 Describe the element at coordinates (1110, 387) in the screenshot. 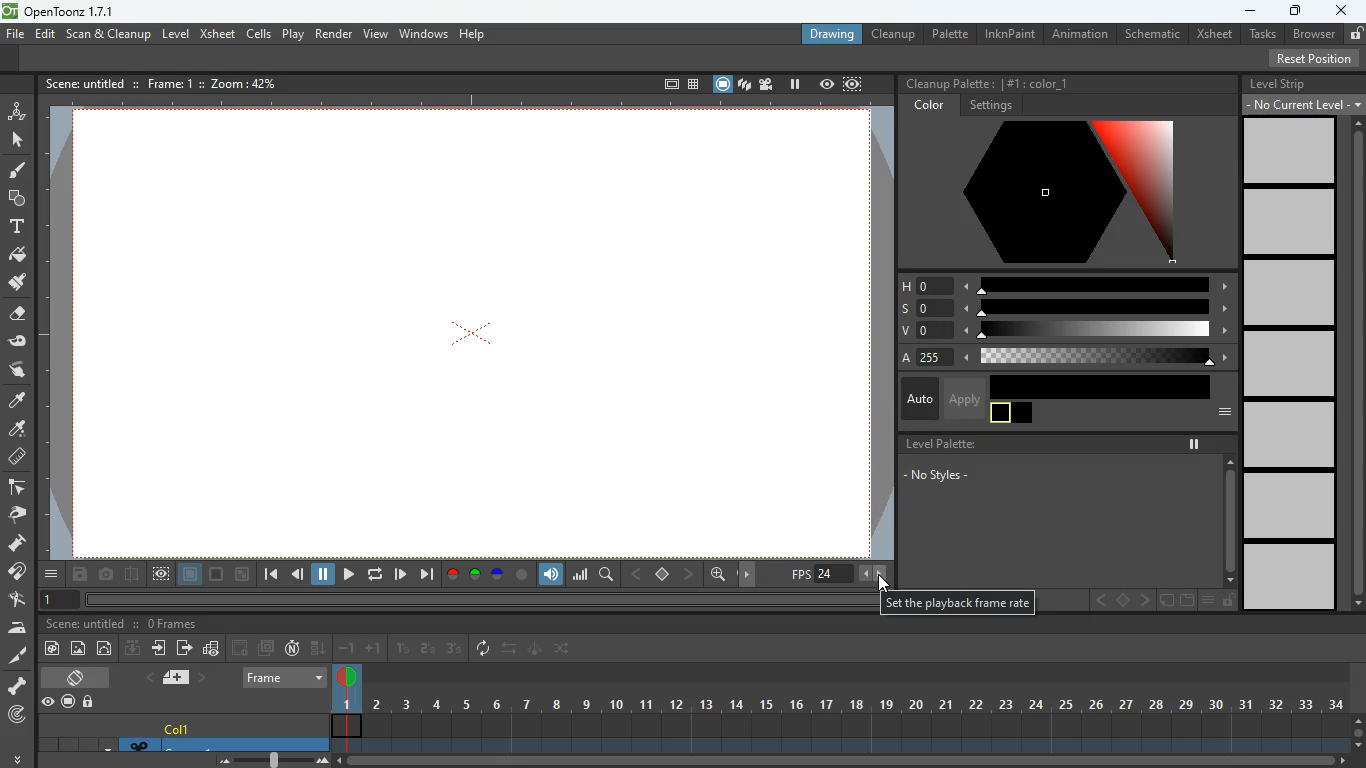

I see `color` at that location.